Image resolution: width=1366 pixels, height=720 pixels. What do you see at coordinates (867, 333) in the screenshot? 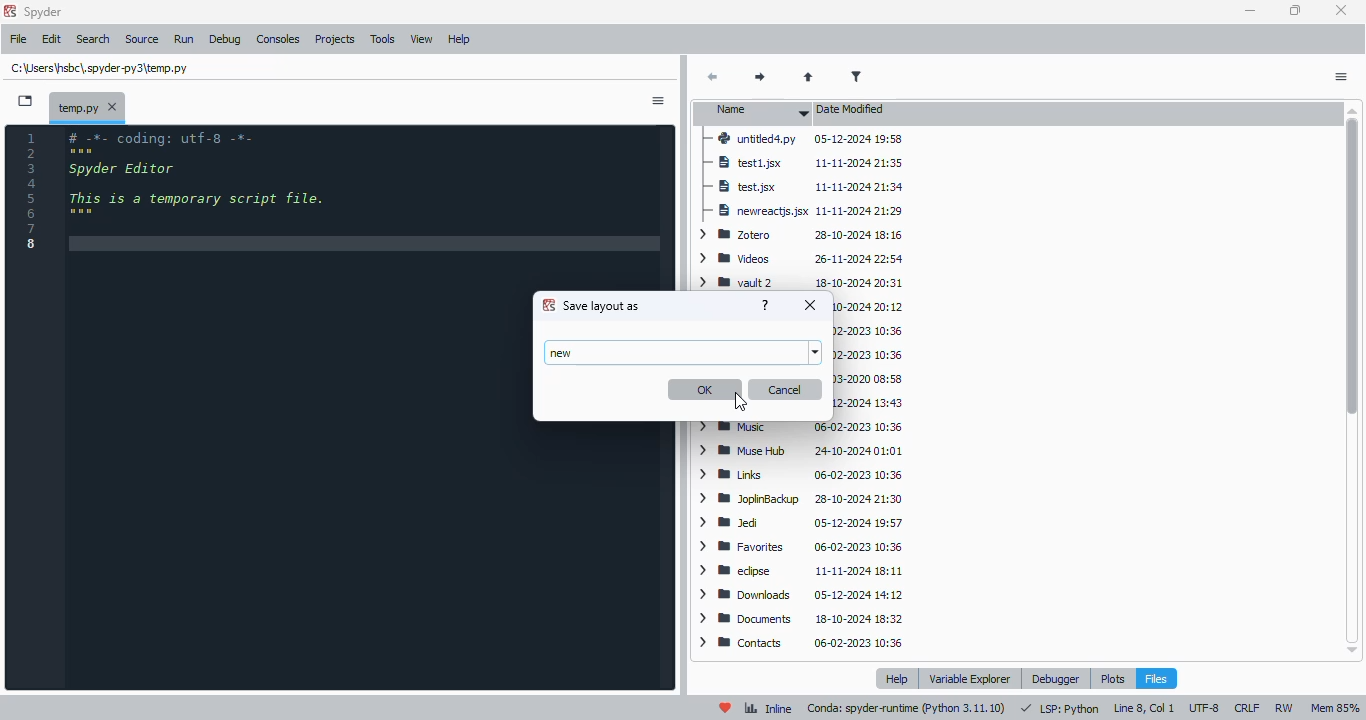
I see `Searches` at bounding box center [867, 333].